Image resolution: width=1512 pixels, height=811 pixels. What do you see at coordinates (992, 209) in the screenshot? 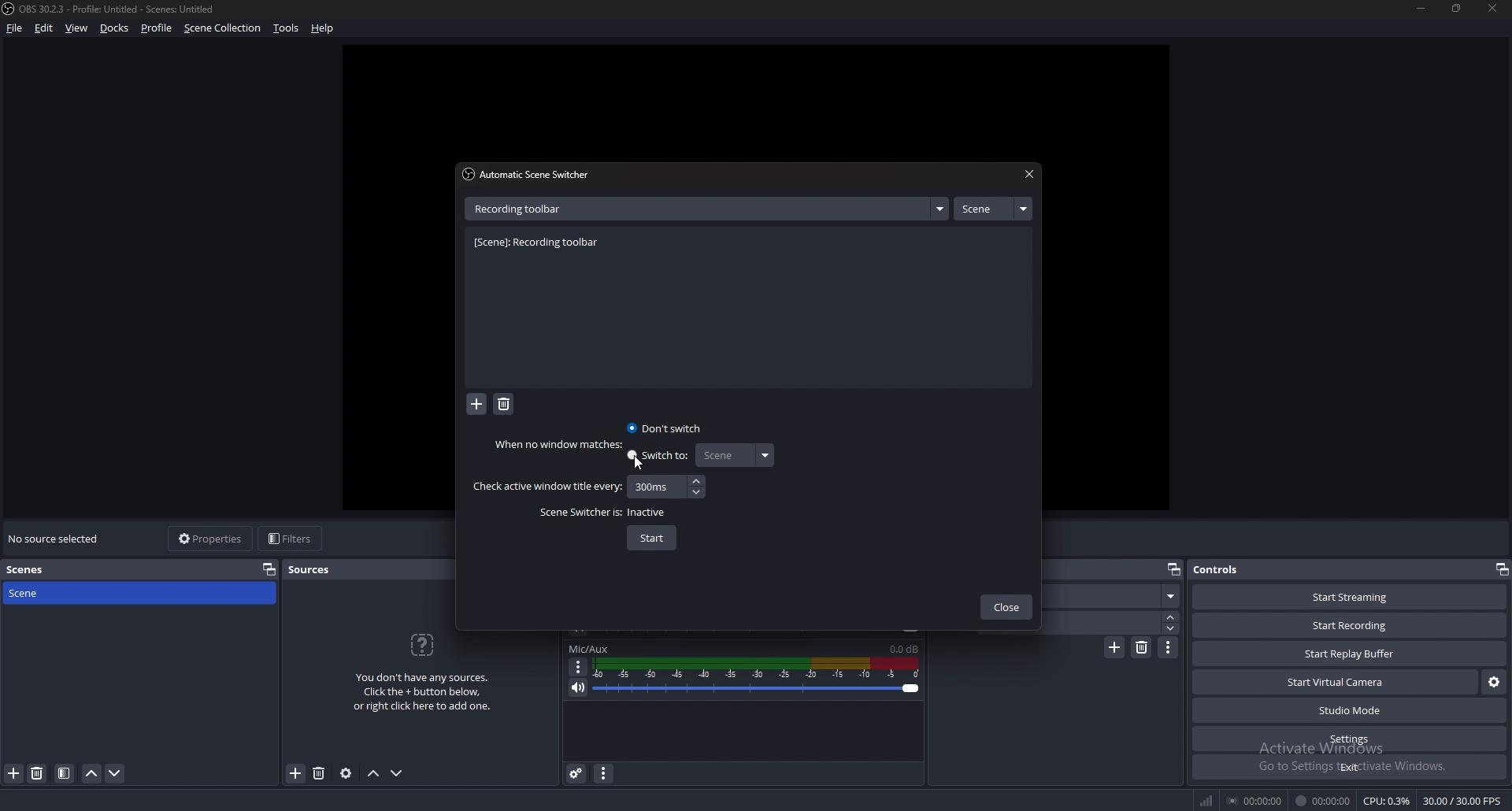
I see `scene` at bounding box center [992, 209].